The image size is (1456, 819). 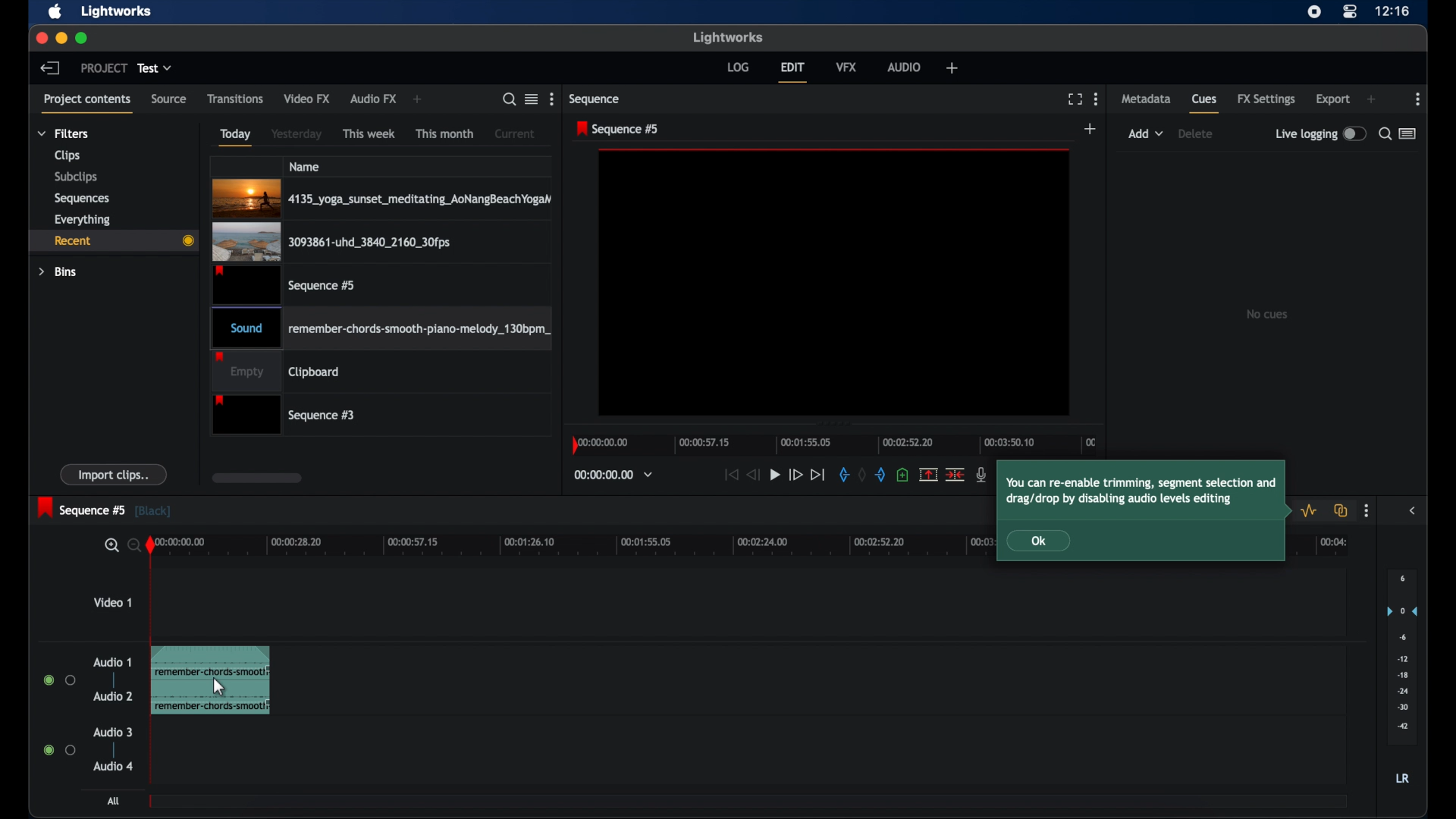 I want to click on current, so click(x=515, y=133).